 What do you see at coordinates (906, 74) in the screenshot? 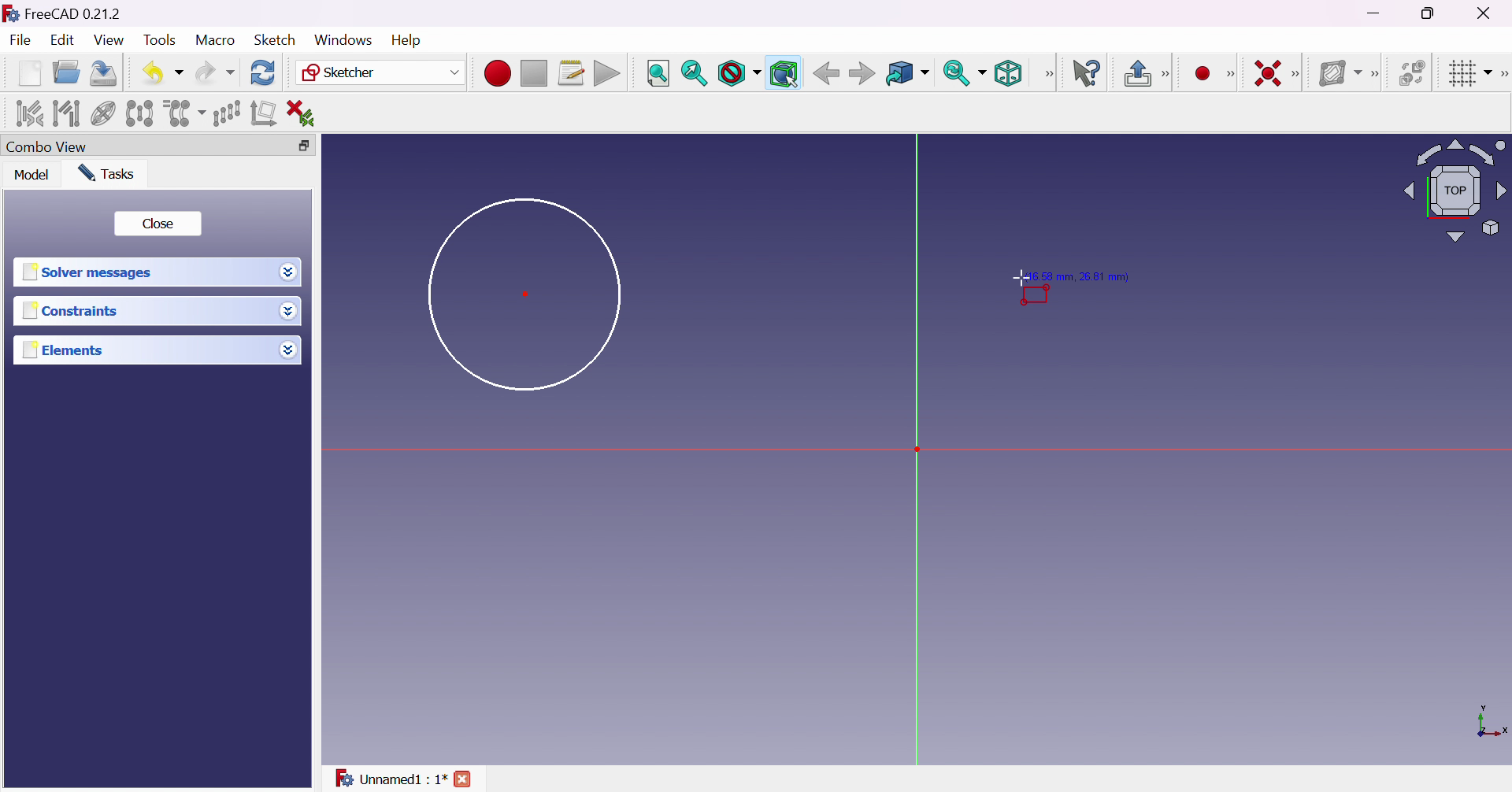
I see `Go to linked object` at bounding box center [906, 74].